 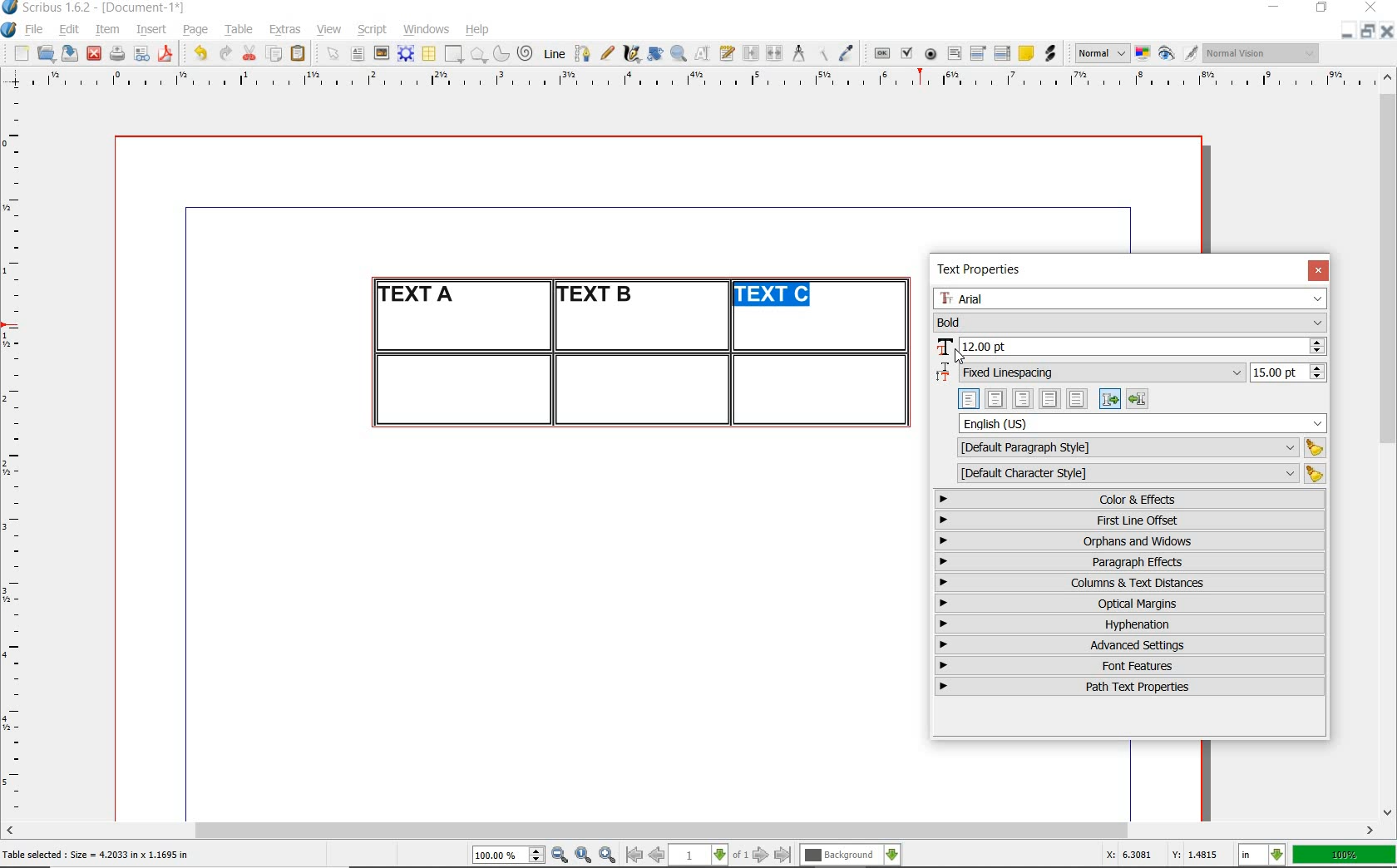 What do you see at coordinates (1131, 373) in the screenshot?
I see `fixed linespacing` at bounding box center [1131, 373].